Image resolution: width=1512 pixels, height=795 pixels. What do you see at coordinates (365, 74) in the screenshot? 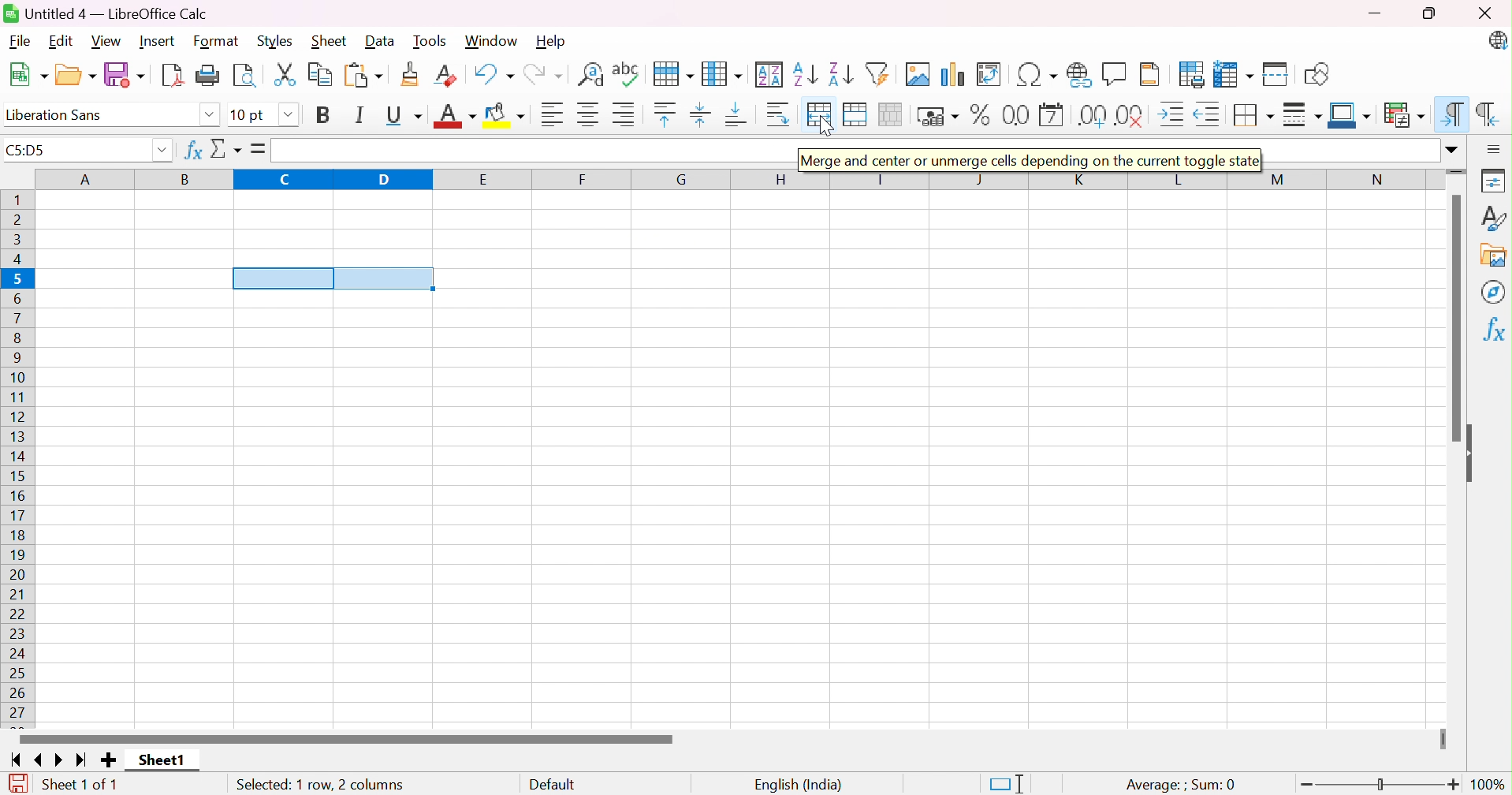
I see `Paste` at bounding box center [365, 74].